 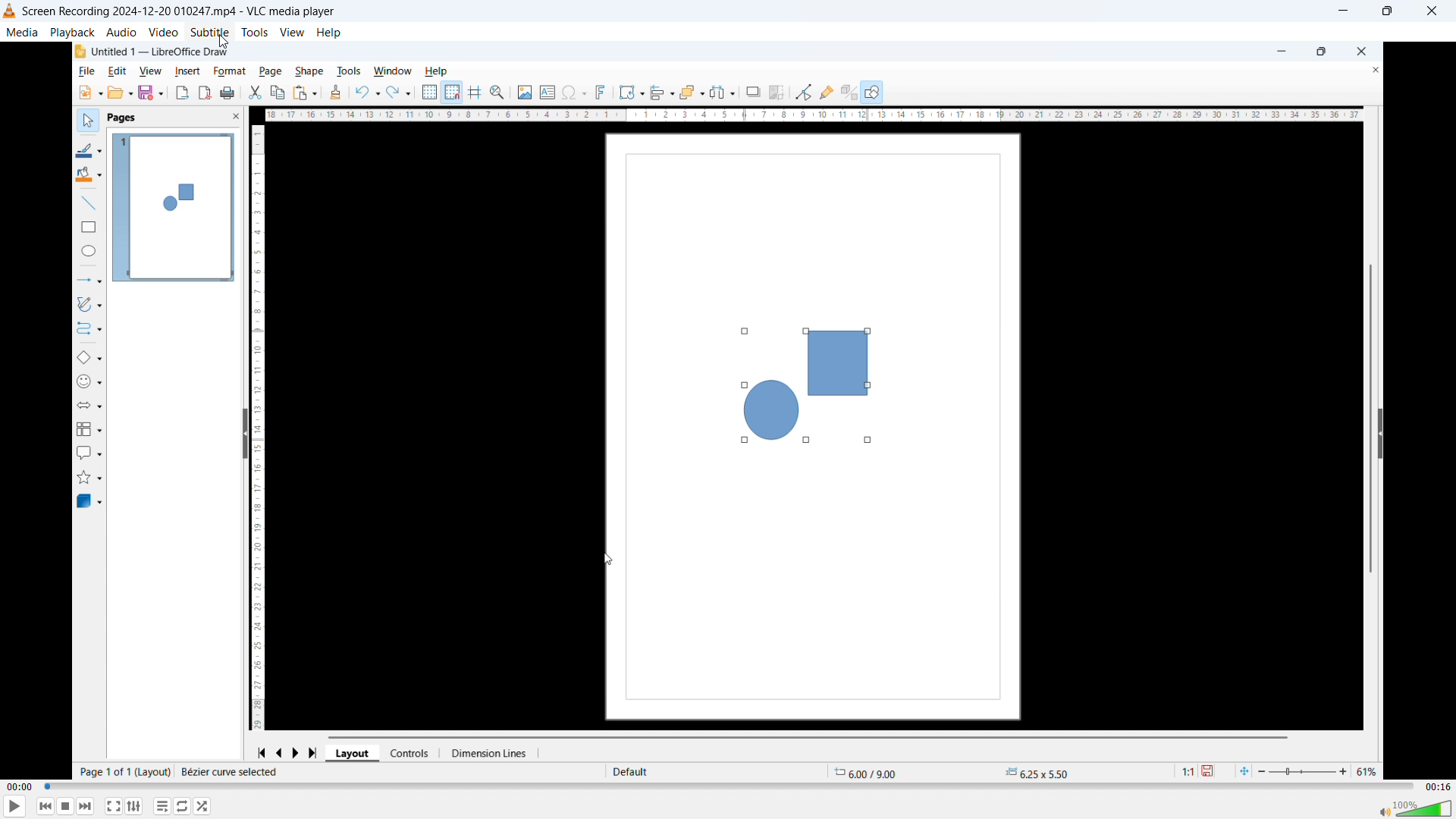 What do you see at coordinates (1369, 71) in the screenshot?
I see `close` at bounding box center [1369, 71].